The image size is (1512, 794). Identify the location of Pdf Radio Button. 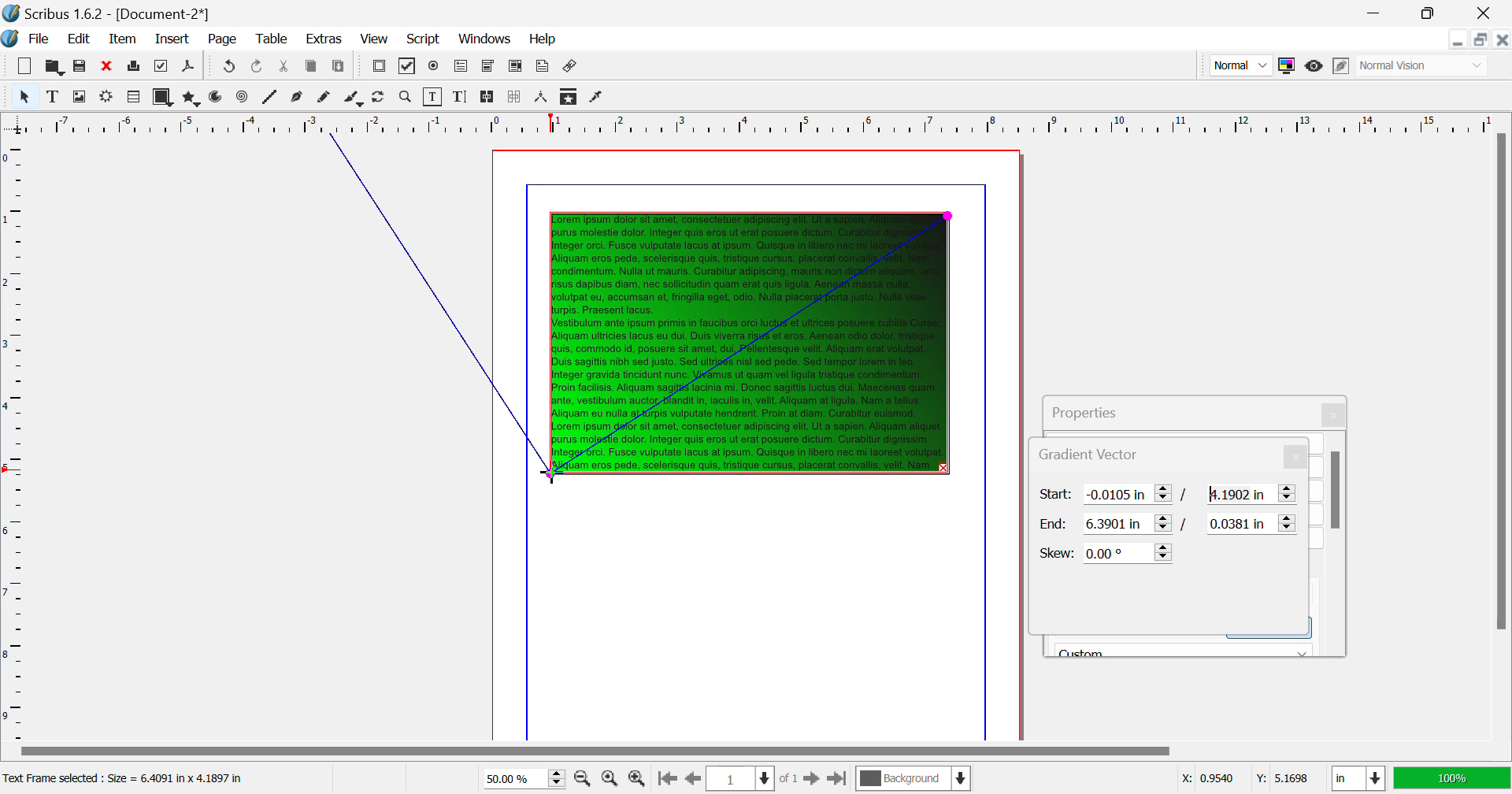
(434, 68).